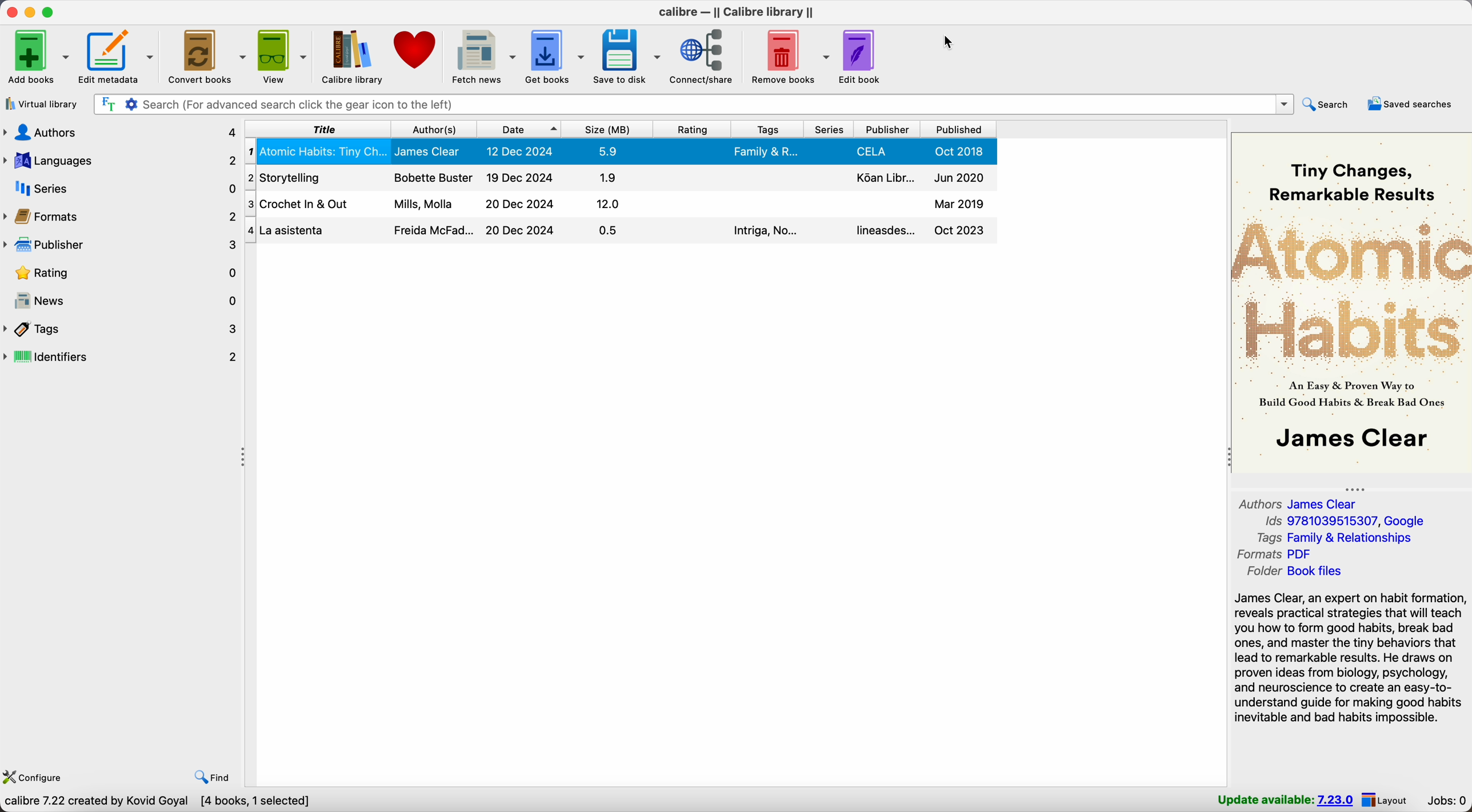  I want to click on La asistenta book details, so click(621, 230).